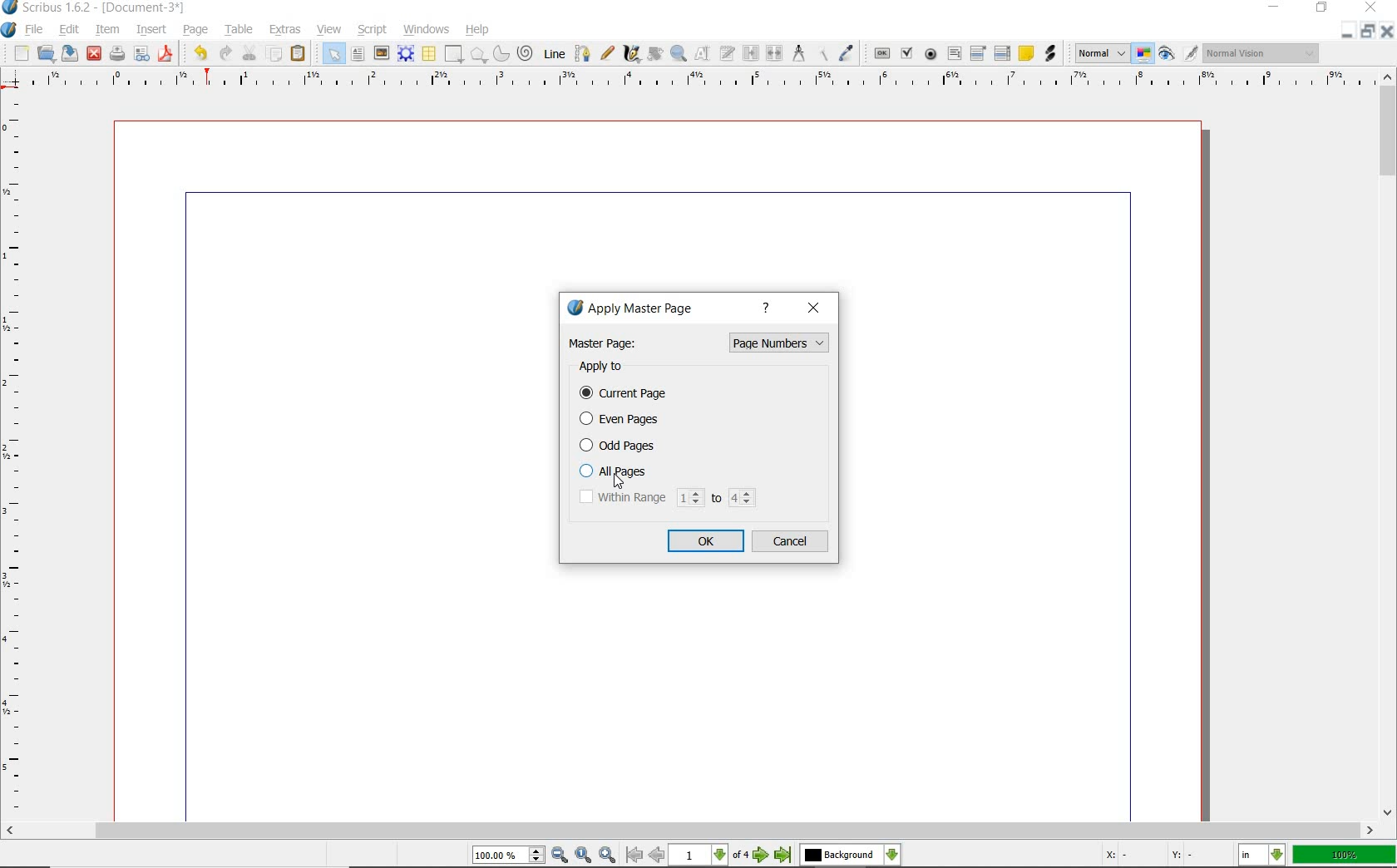  What do you see at coordinates (427, 29) in the screenshot?
I see `windows` at bounding box center [427, 29].